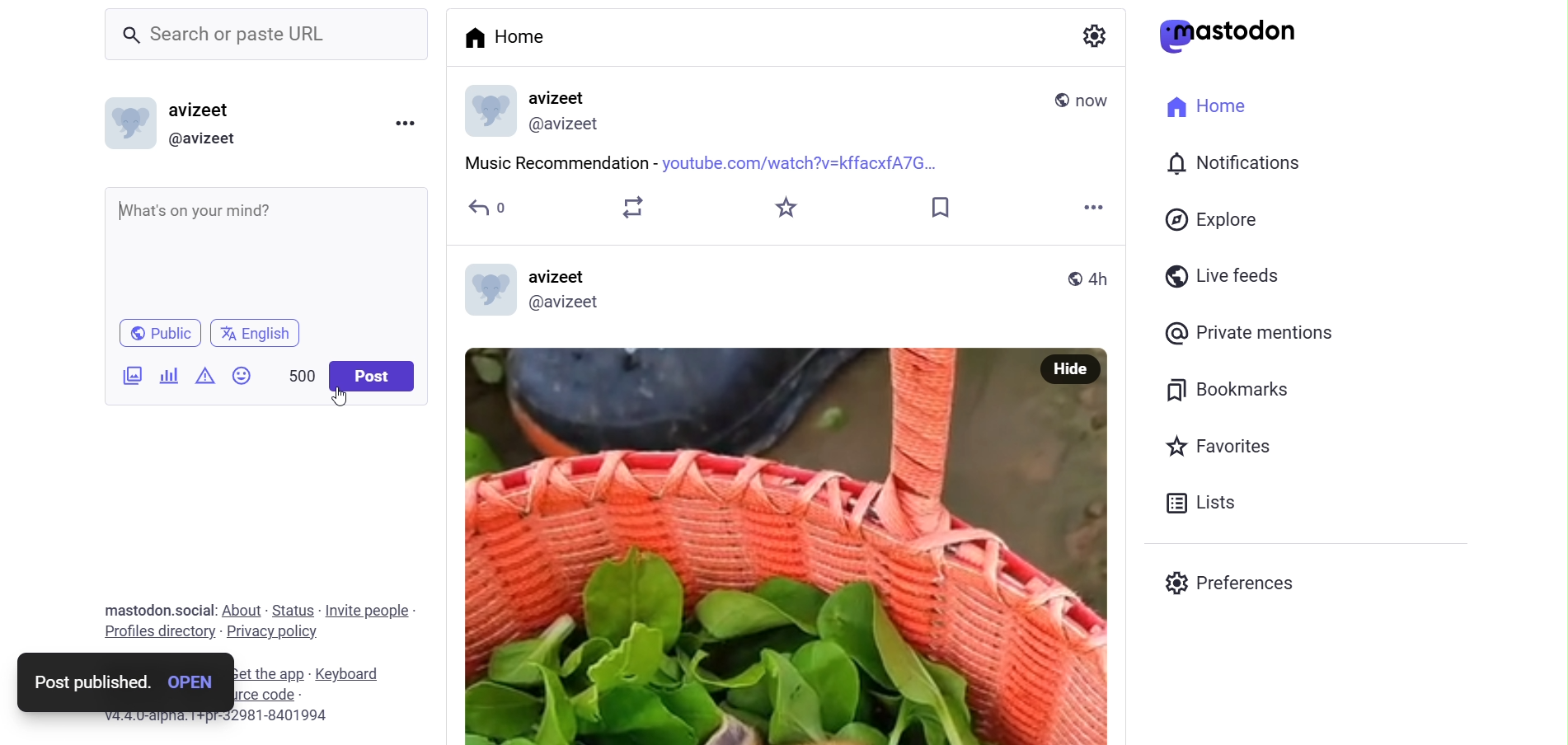 Image resolution: width=1568 pixels, height=745 pixels. What do you see at coordinates (1101, 279) in the screenshot?
I see `4h` at bounding box center [1101, 279].